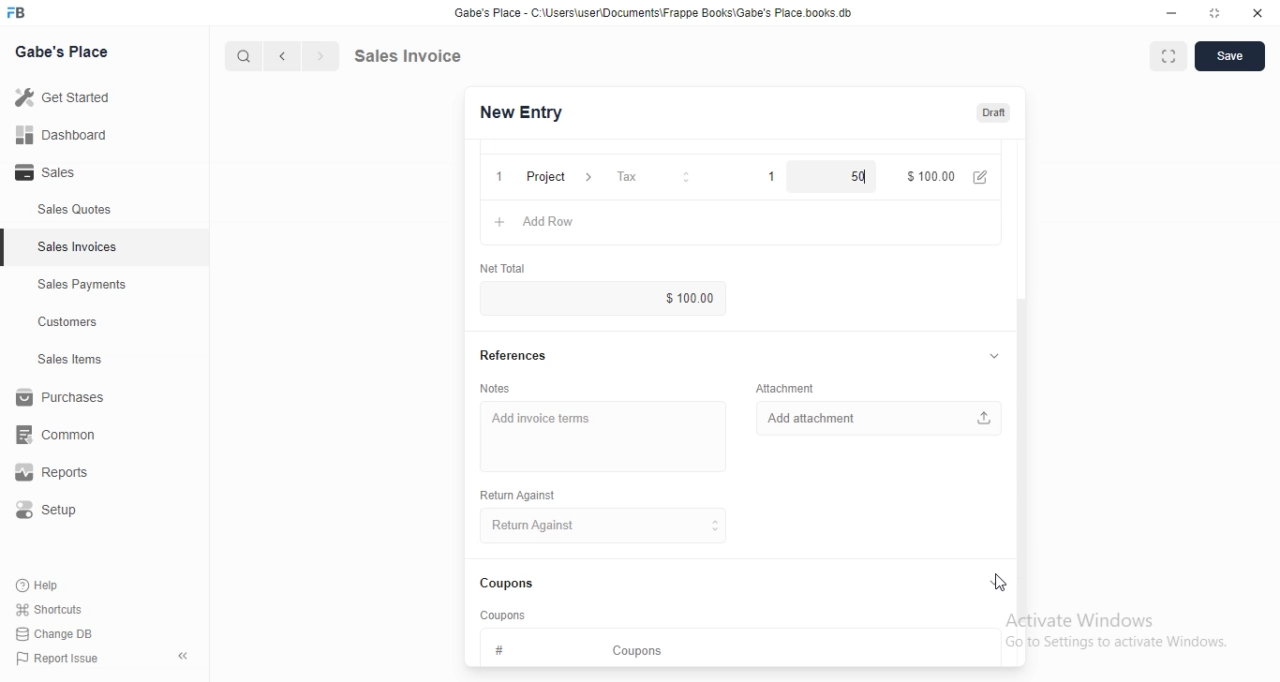 This screenshot has height=682, width=1280. I want to click on References, so click(515, 354).